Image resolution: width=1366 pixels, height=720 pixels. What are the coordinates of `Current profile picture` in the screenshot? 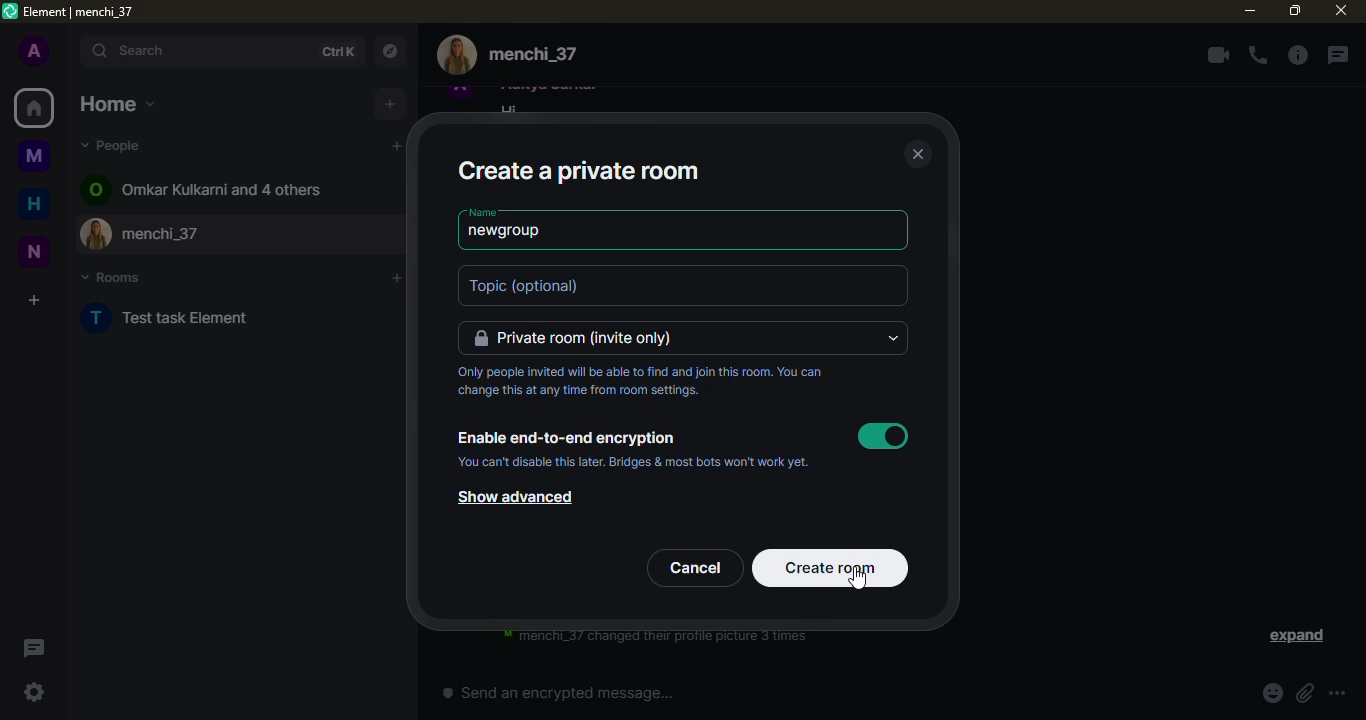 It's located at (457, 55).